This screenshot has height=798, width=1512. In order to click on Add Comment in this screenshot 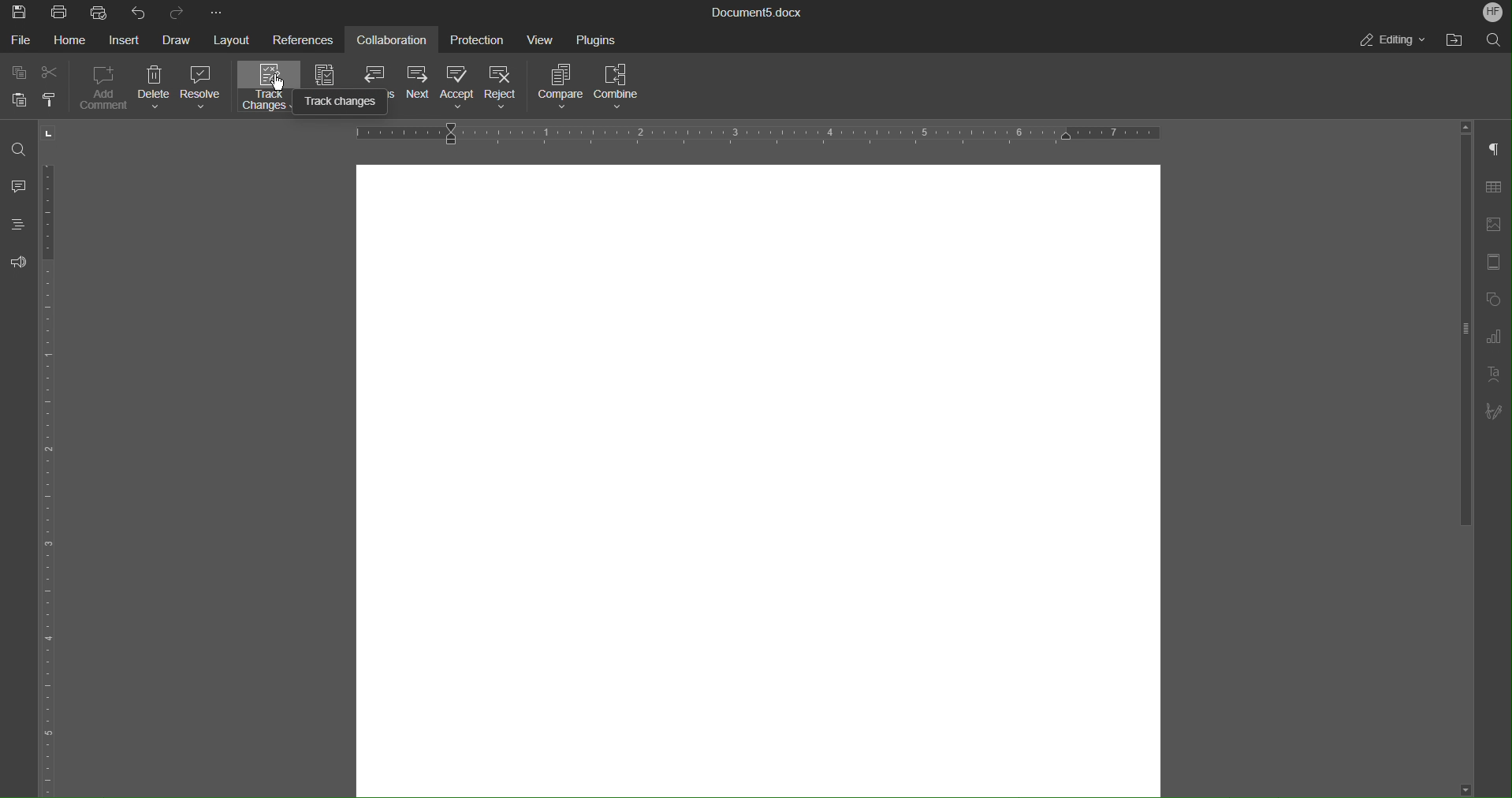, I will do `click(106, 91)`.